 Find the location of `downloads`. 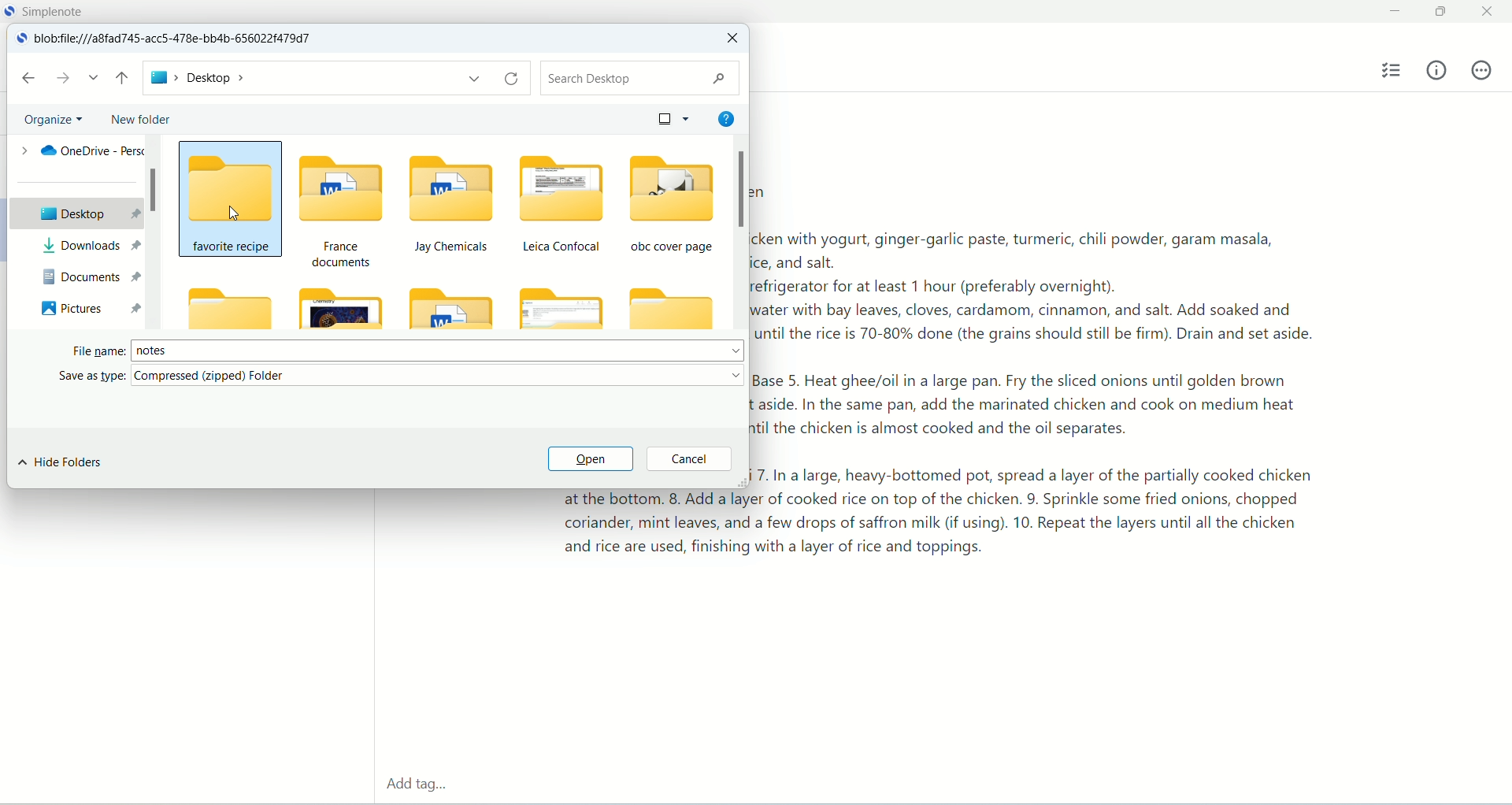

downloads is located at coordinates (89, 244).